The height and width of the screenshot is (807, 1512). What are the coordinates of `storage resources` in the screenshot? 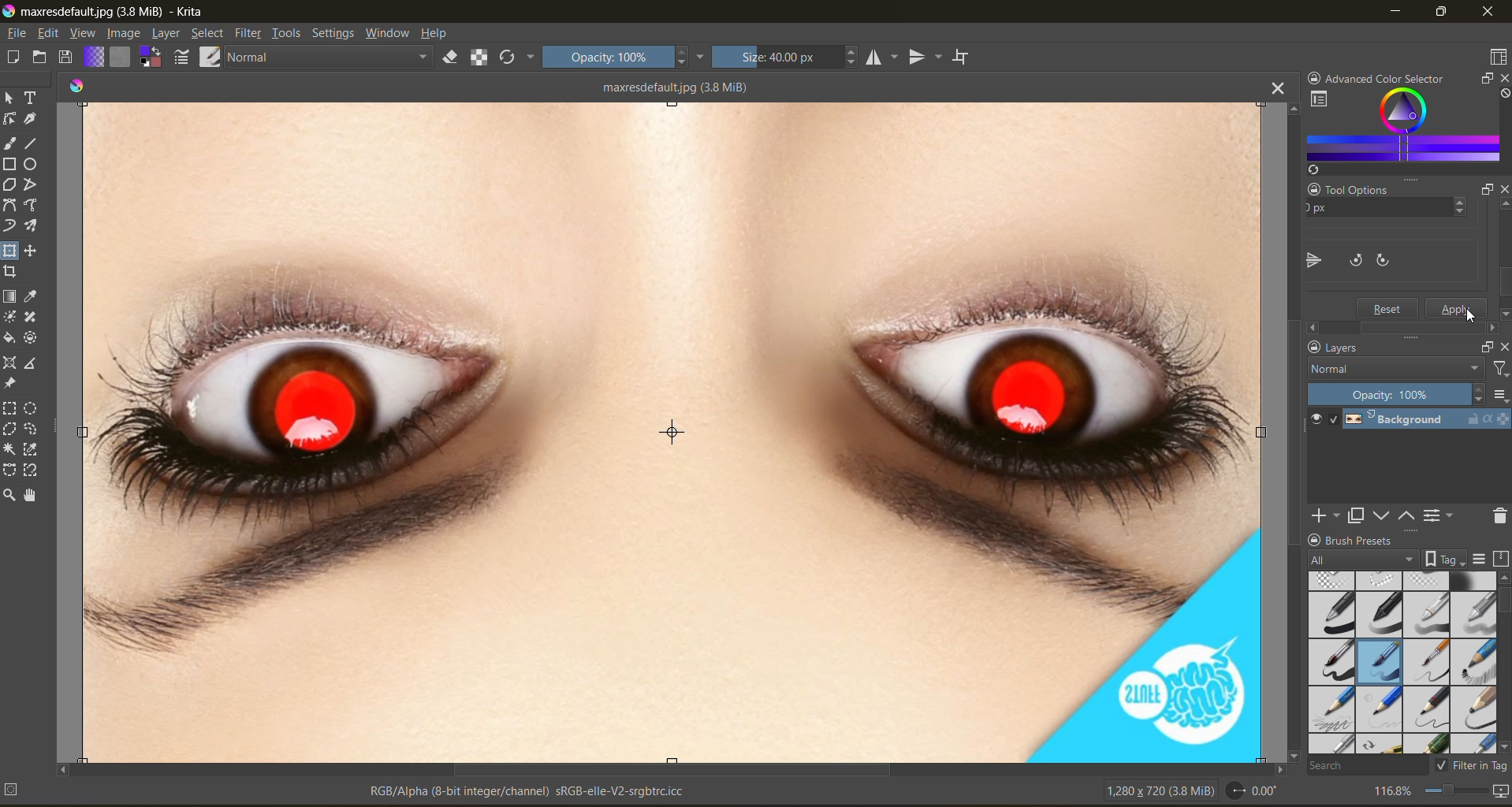 It's located at (1501, 559).